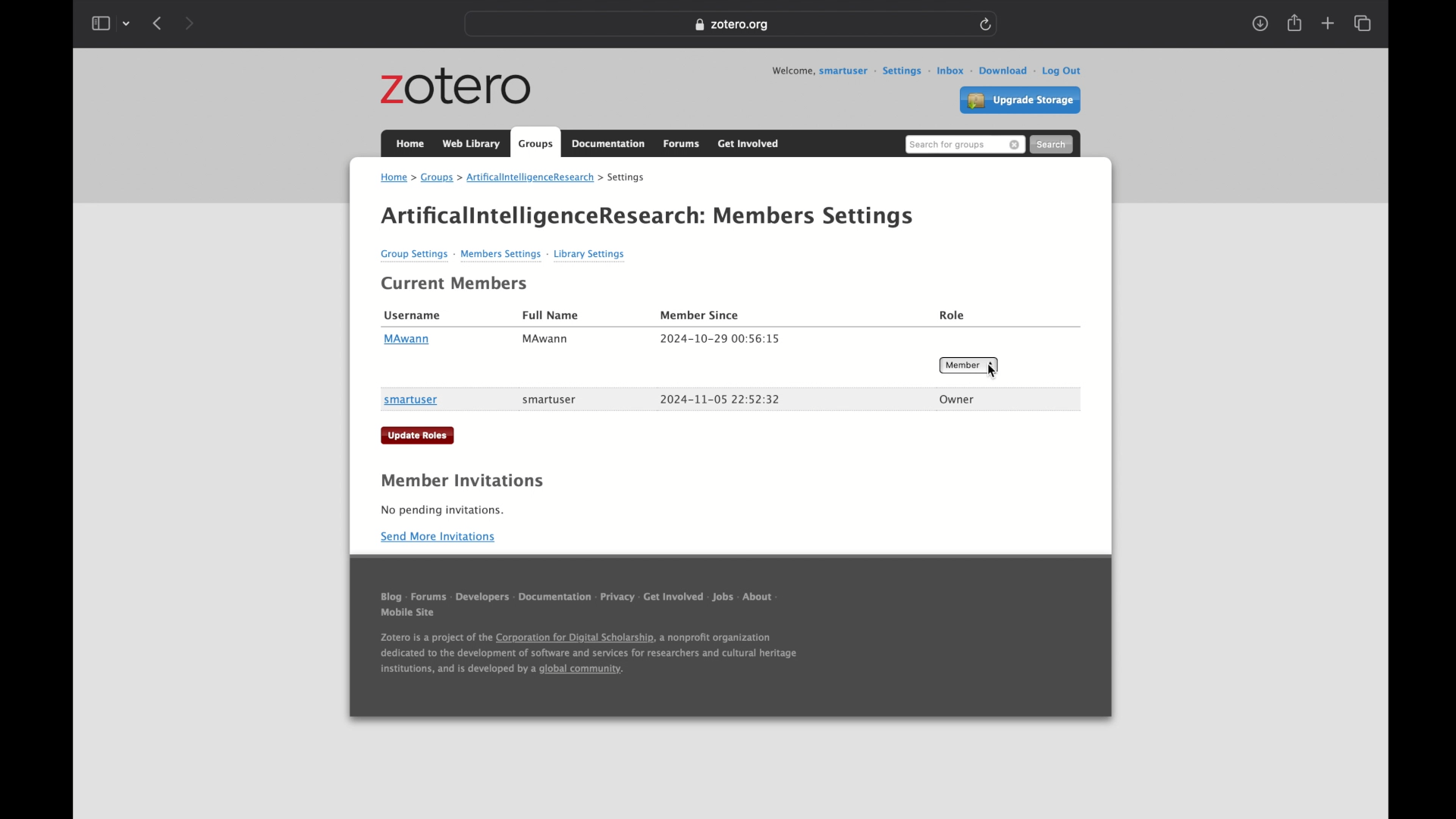  I want to click on mobile sit, so click(409, 617).